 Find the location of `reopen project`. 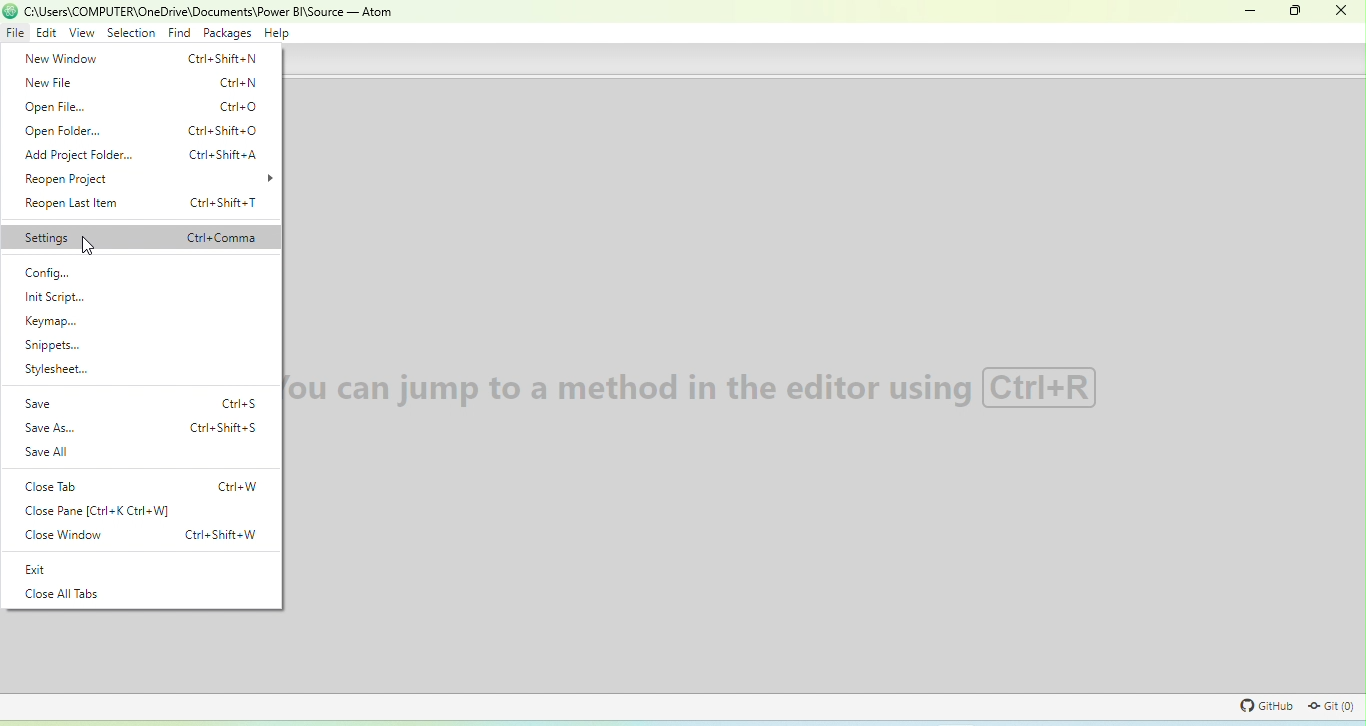

reopen project is located at coordinates (68, 178).